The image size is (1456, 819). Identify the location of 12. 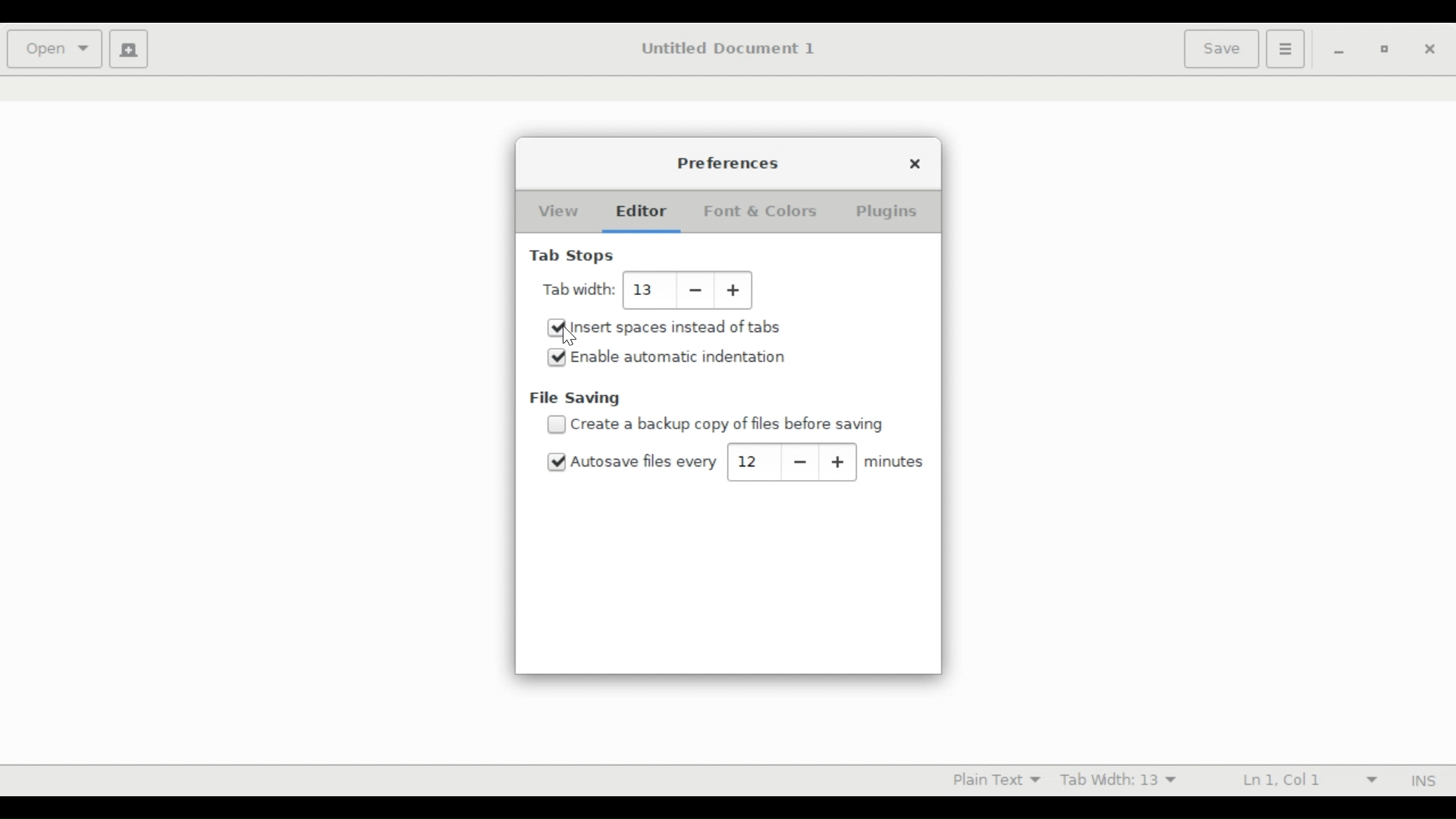
(752, 461).